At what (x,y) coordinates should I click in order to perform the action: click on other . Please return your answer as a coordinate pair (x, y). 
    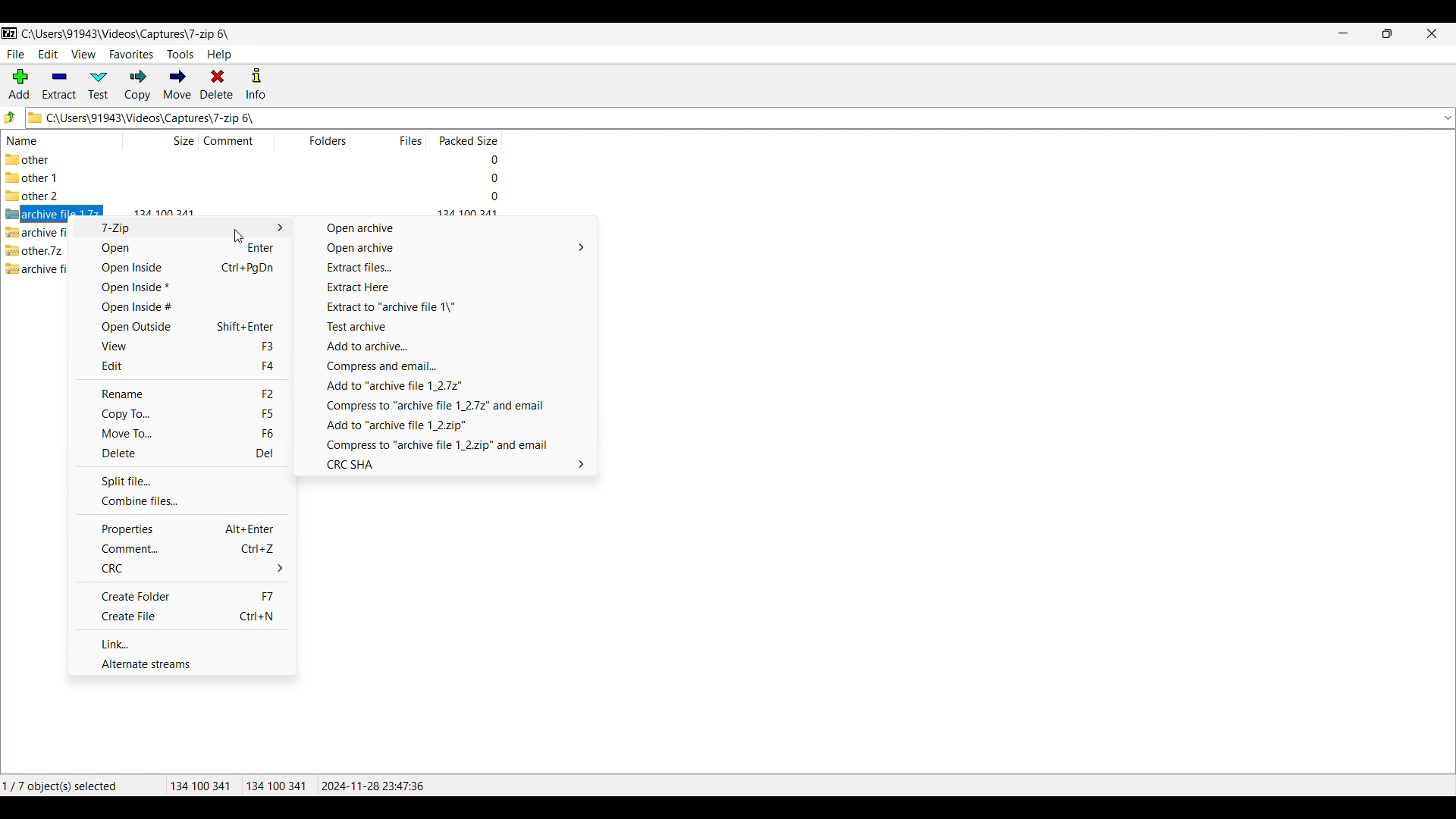
    Looking at the image, I should click on (38, 159).